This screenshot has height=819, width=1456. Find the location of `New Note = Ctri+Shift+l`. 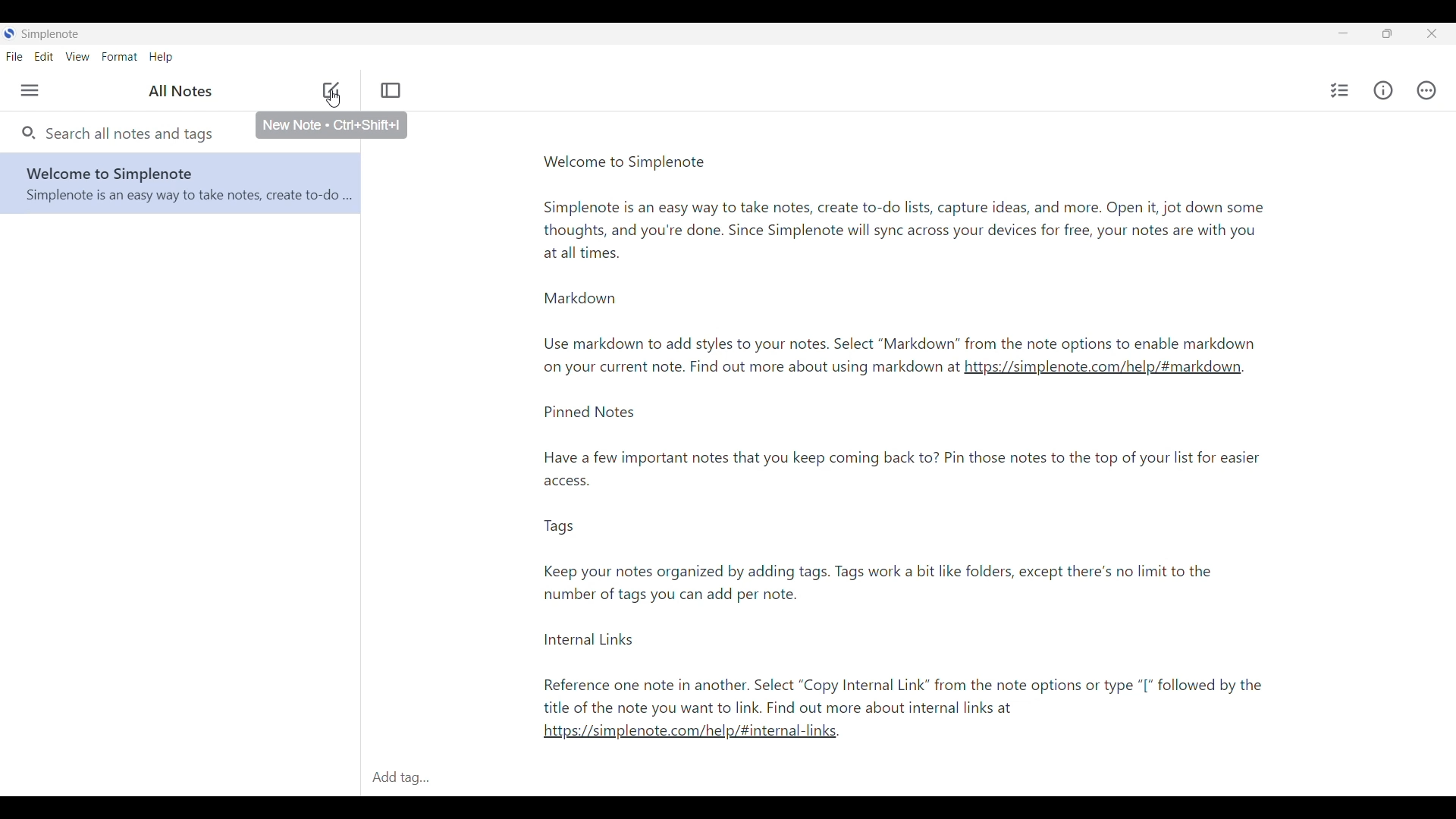

New Note = Ctri+Shift+l is located at coordinates (332, 126).